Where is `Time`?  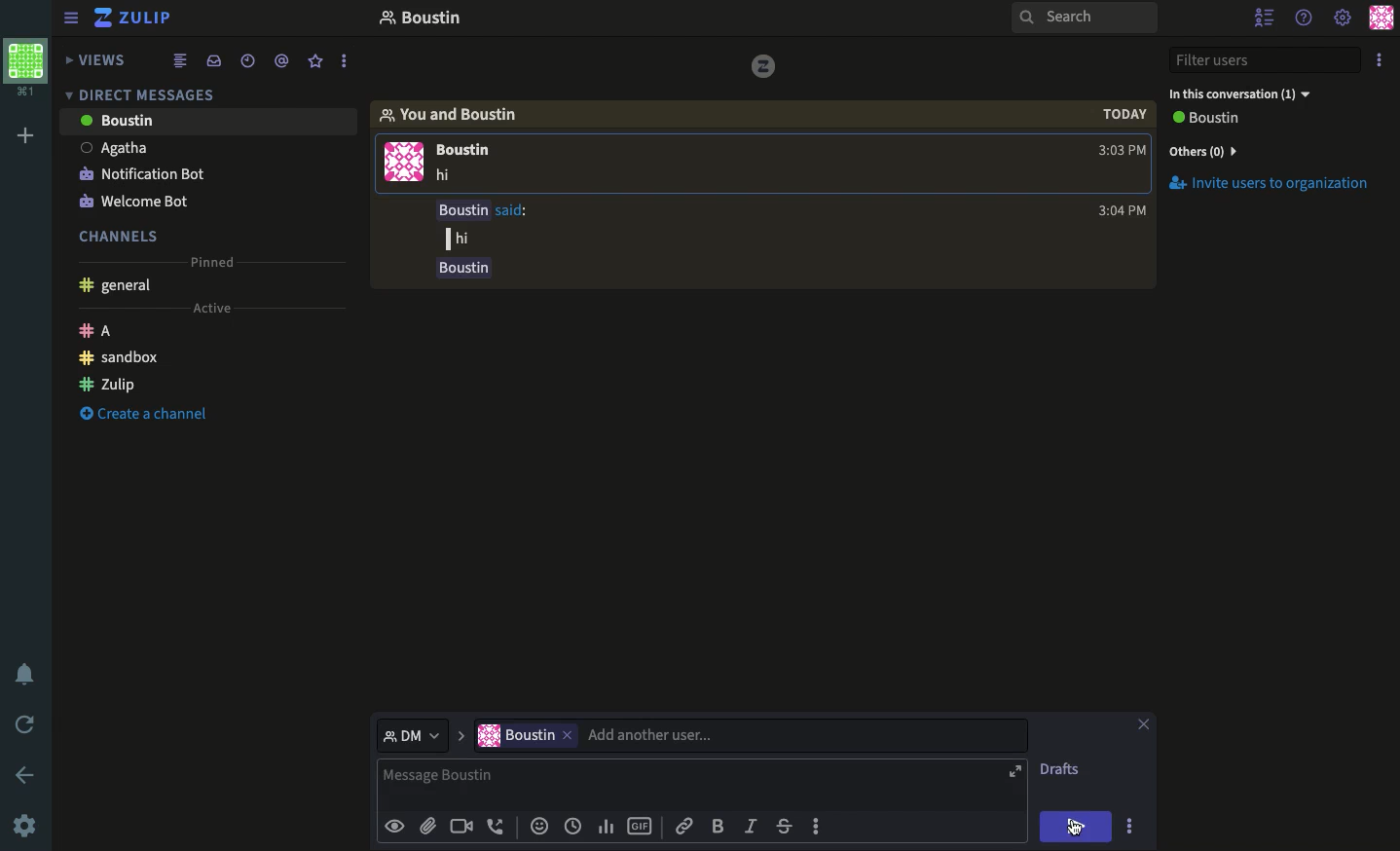
Time is located at coordinates (246, 59).